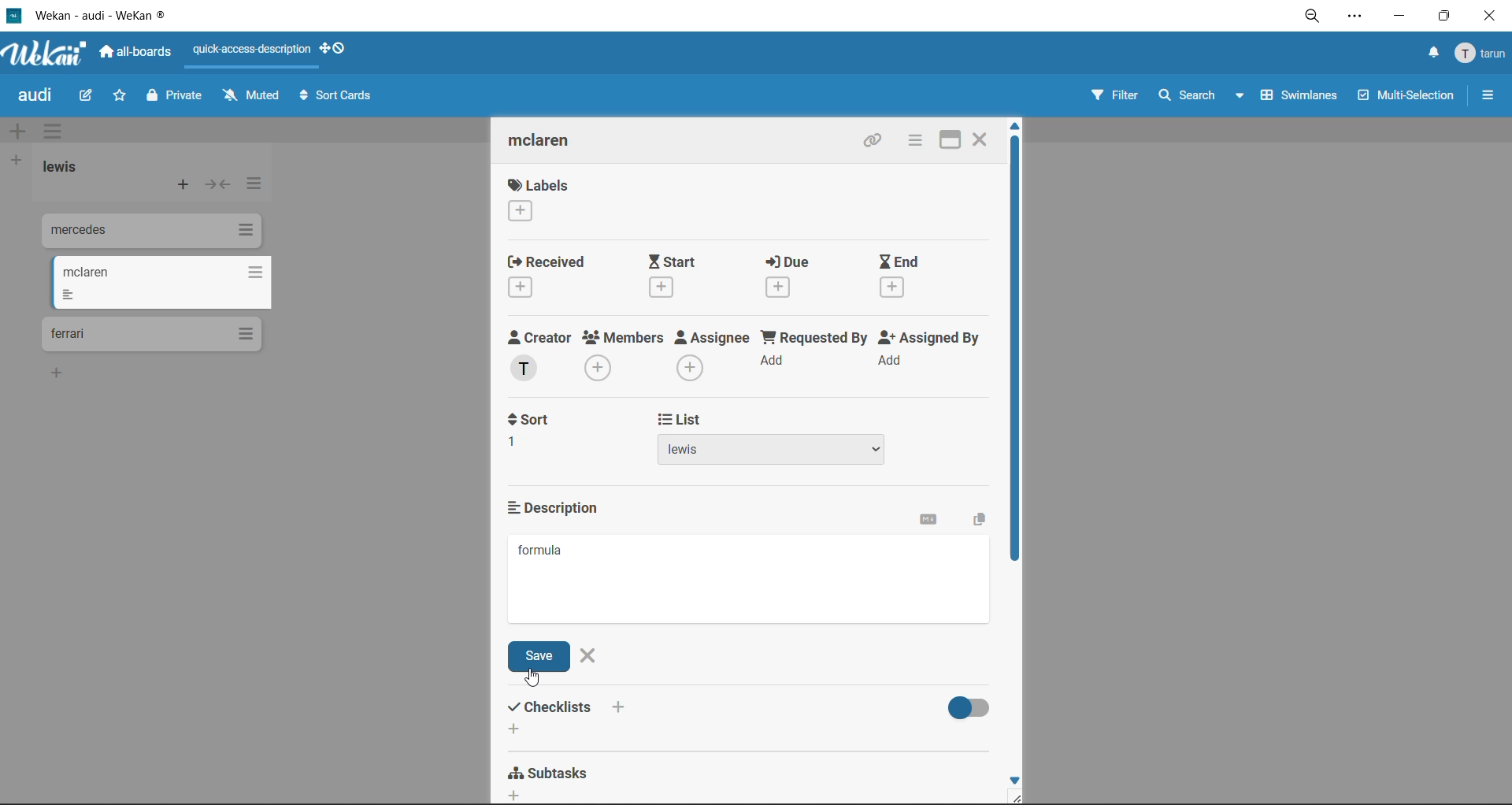 The width and height of the screenshot is (1512, 805). What do you see at coordinates (777, 440) in the screenshot?
I see `list` at bounding box center [777, 440].